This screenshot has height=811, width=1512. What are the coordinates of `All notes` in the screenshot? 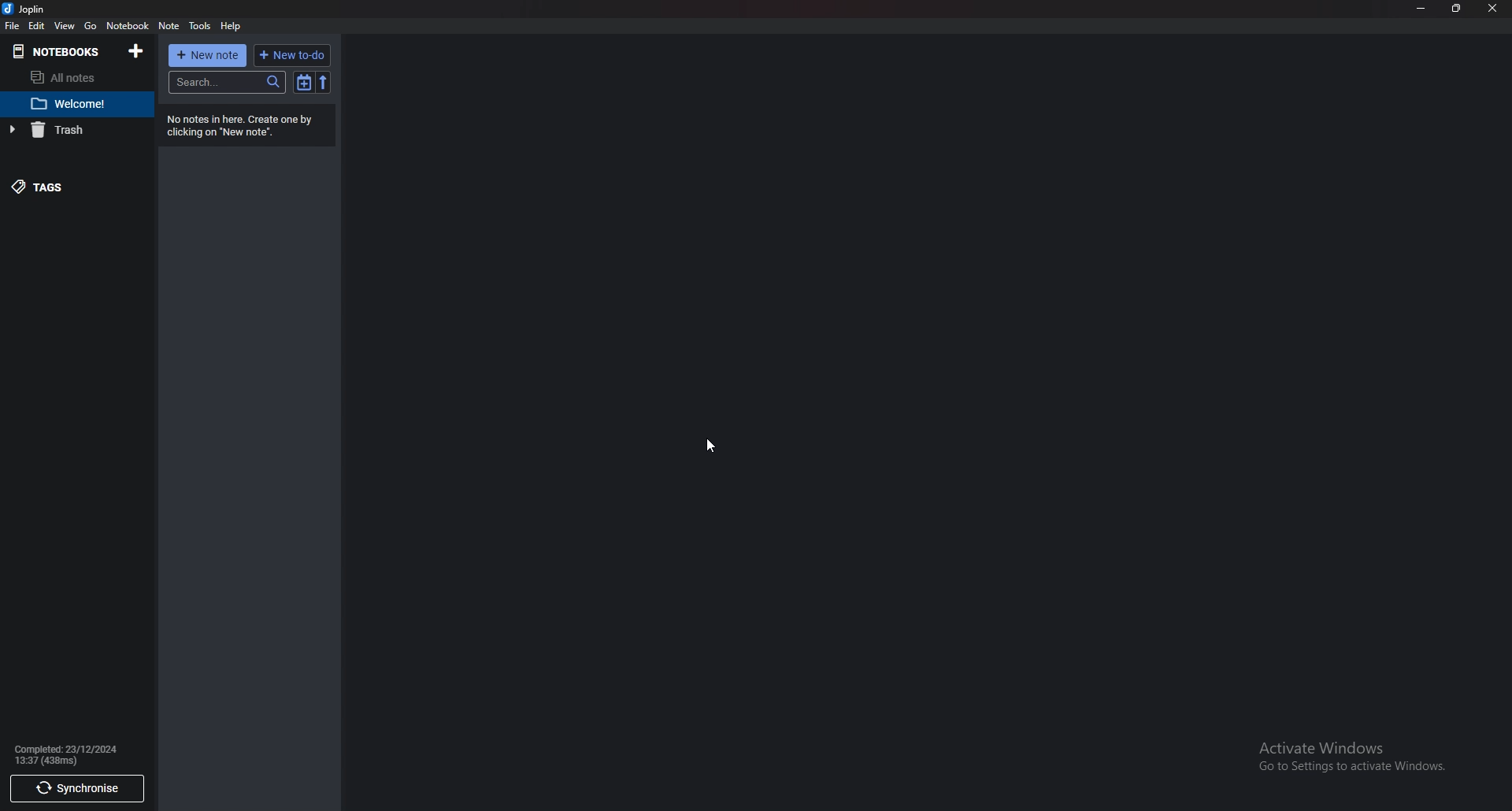 It's located at (69, 80).